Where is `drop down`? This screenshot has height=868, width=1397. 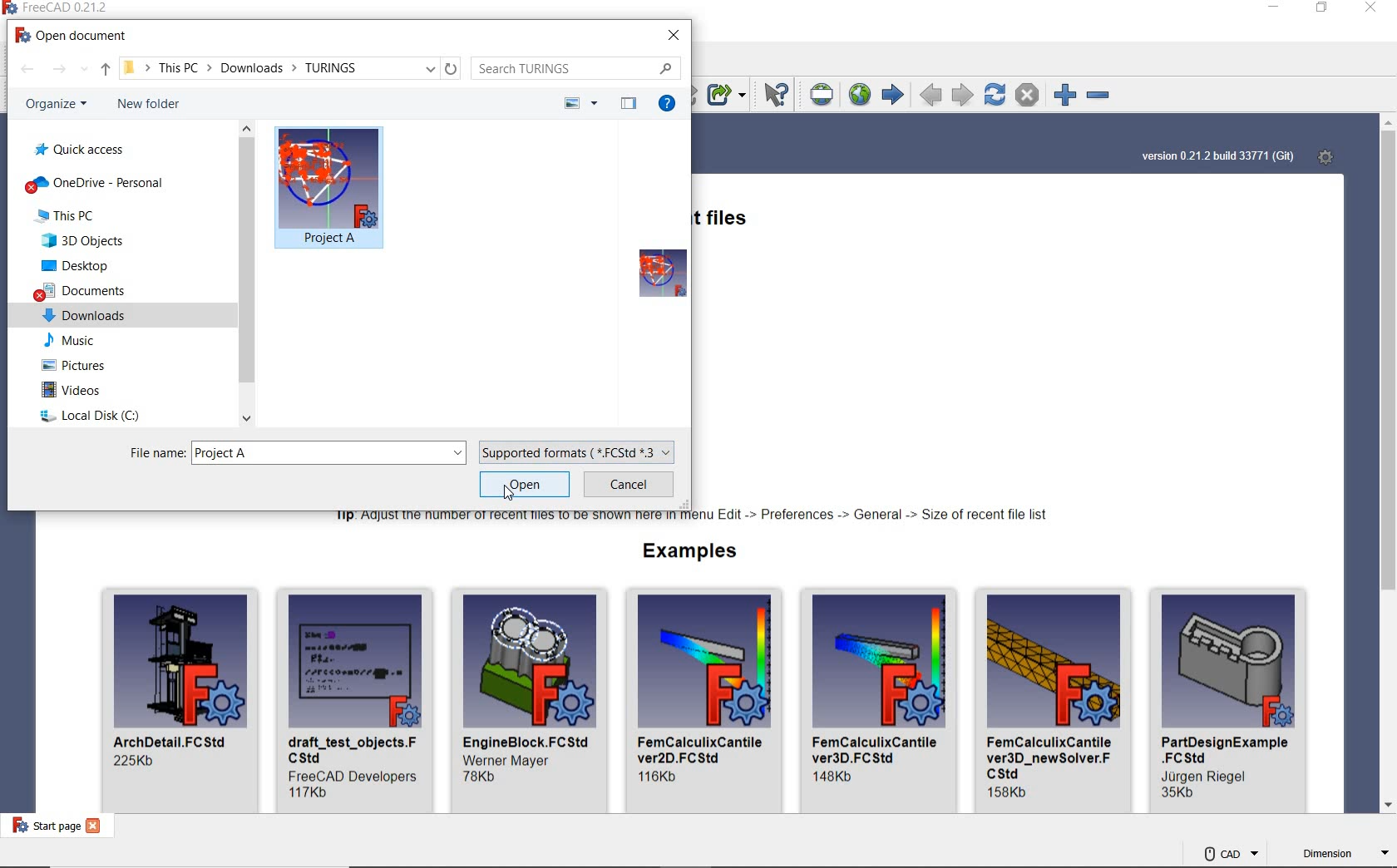 drop down is located at coordinates (430, 68).